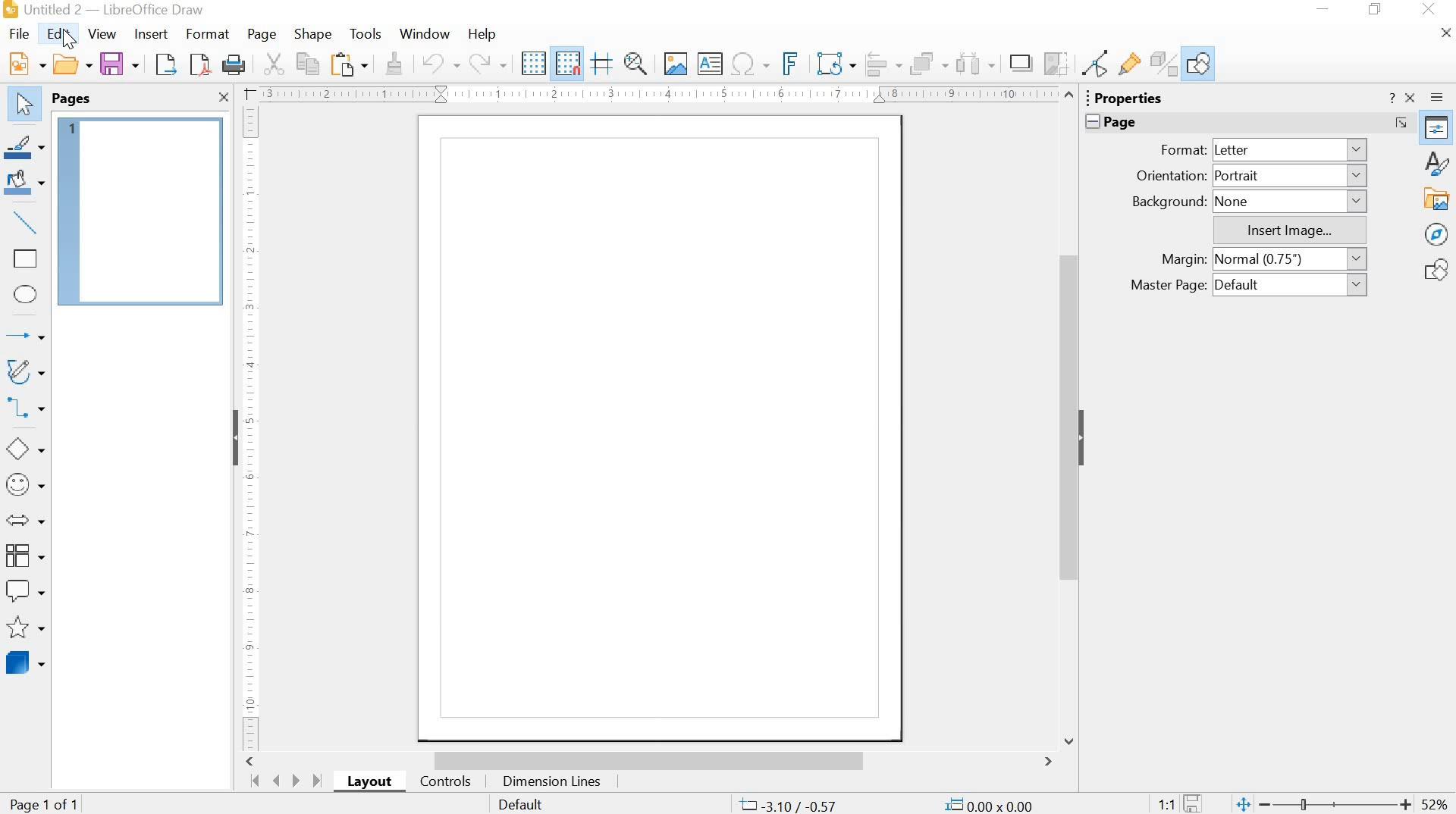 This screenshot has height=814, width=1456. I want to click on Format, so click(1182, 150).